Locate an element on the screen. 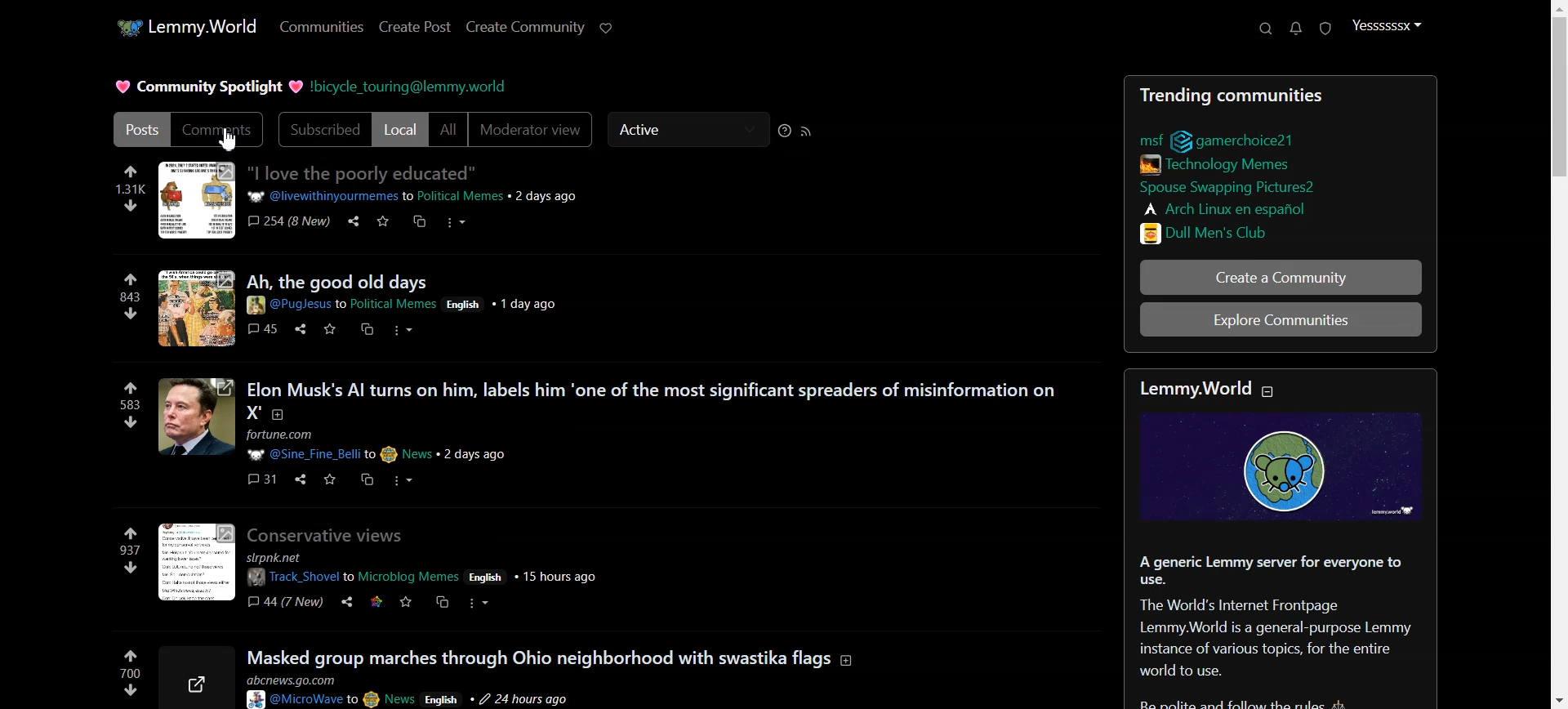 The width and height of the screenshot is (1568, 709). Unread Report is located at coordinates (1326, 29).